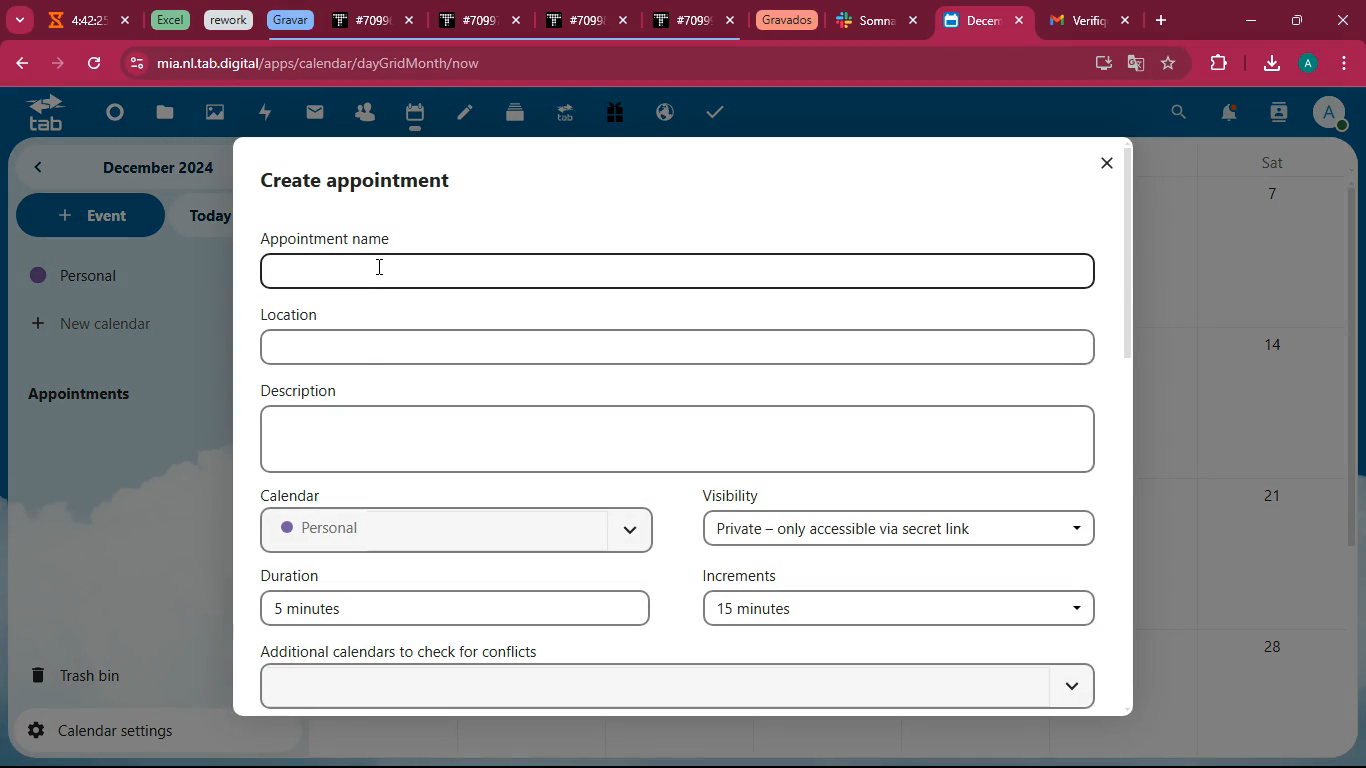 Image resolution: width=1366 pixels, height=768 pixels. What do you see at coordinates (1329, 112) in the screenshot?
I see `profile` at bounding box center [1329, 112].